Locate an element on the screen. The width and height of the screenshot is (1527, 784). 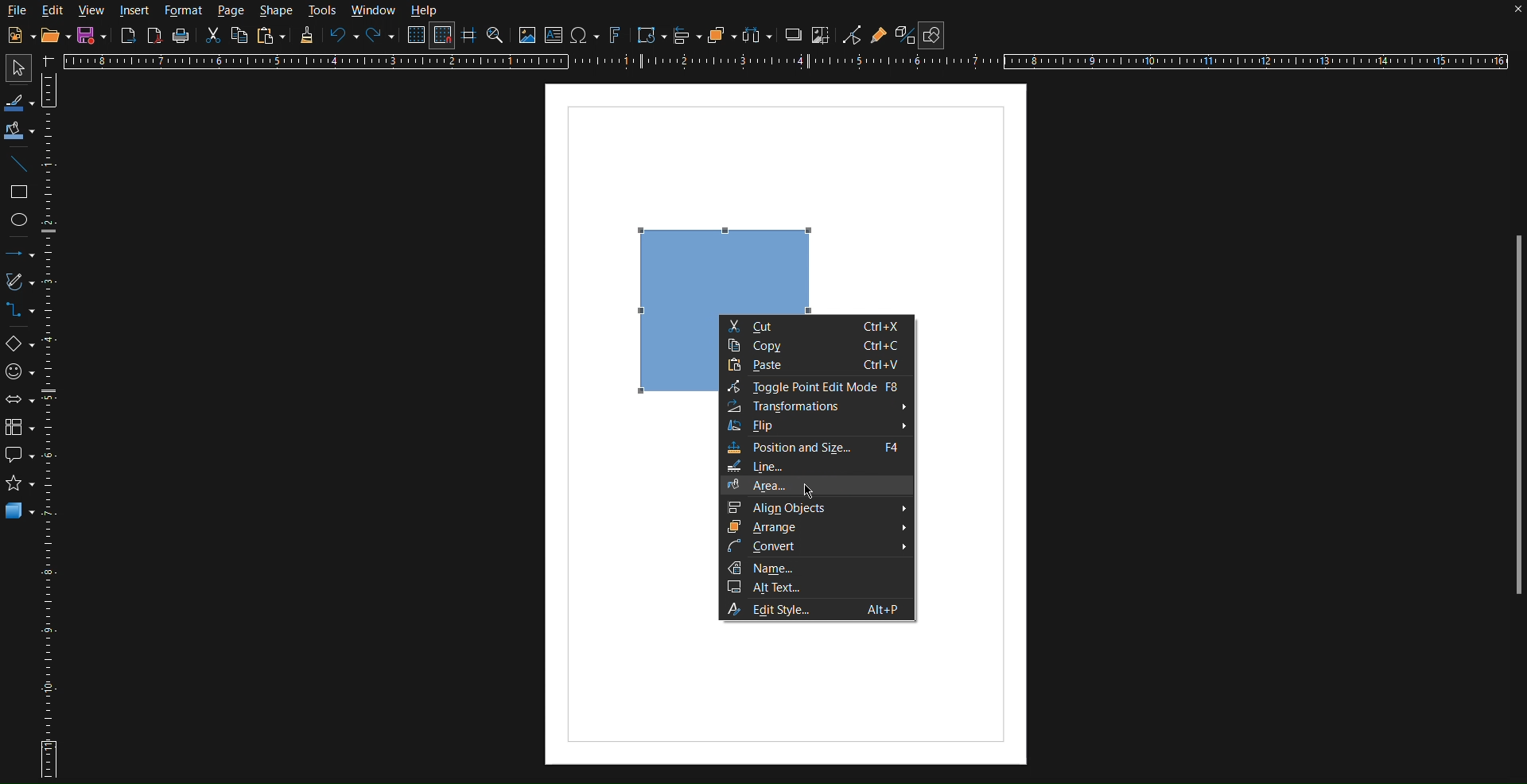
Fontworks is located at coordinates (616, 37).